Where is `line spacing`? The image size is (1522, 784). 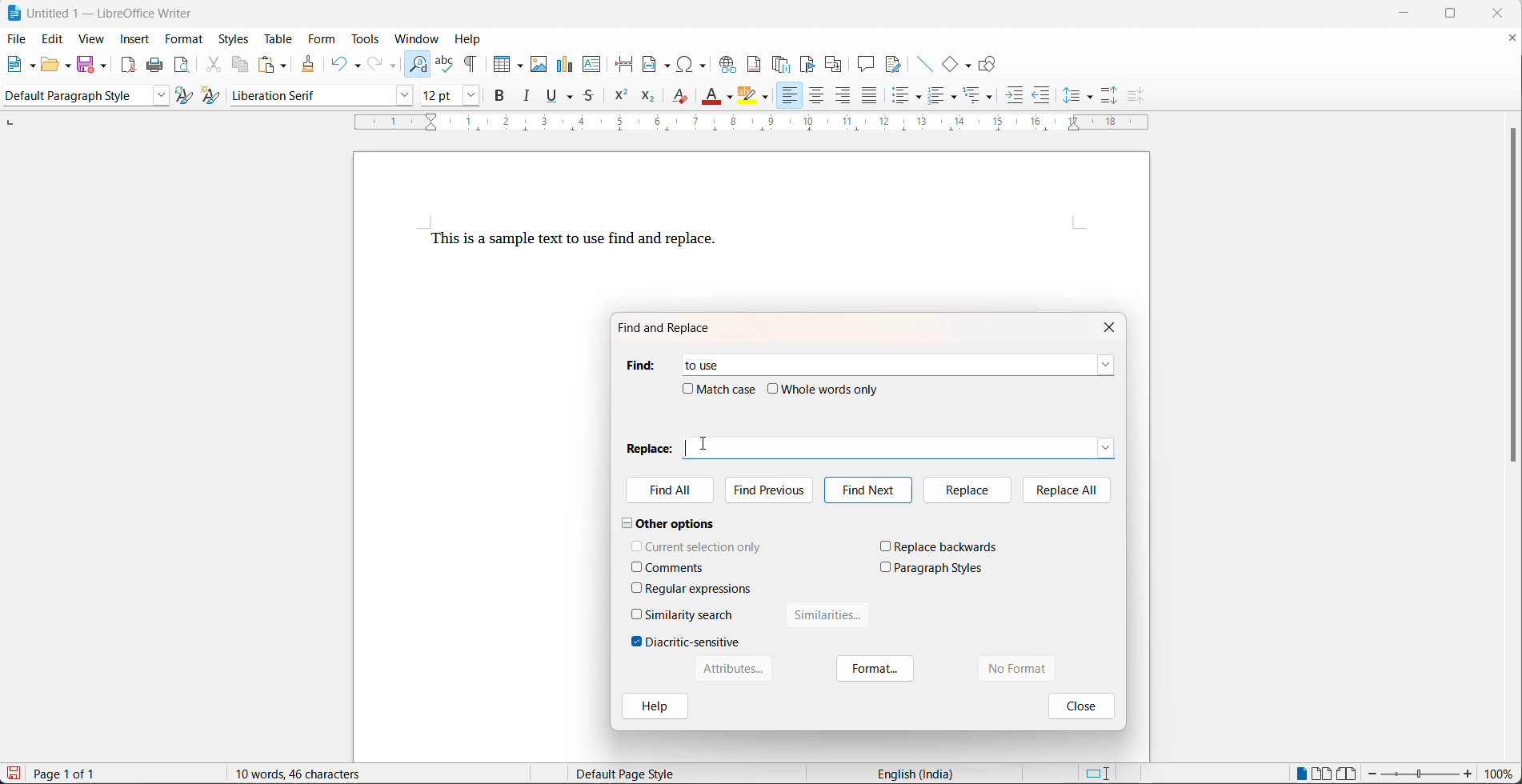 line spacing is located at coordinates (1091, 98).